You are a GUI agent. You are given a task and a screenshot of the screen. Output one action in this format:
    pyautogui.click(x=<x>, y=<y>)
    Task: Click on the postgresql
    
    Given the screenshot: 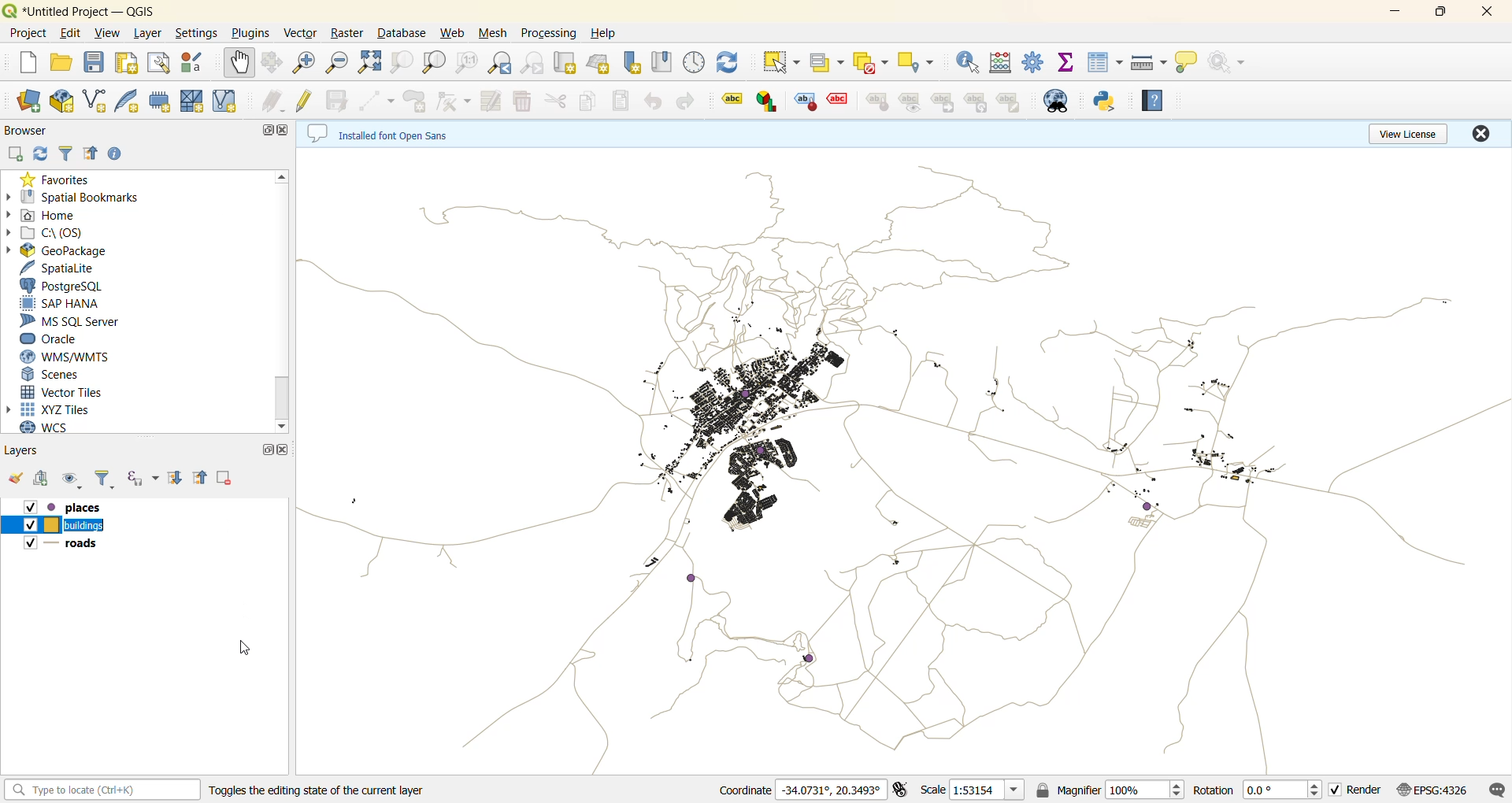 What is the action you would take?
    pyautogui.click(x=62, y=286)
    